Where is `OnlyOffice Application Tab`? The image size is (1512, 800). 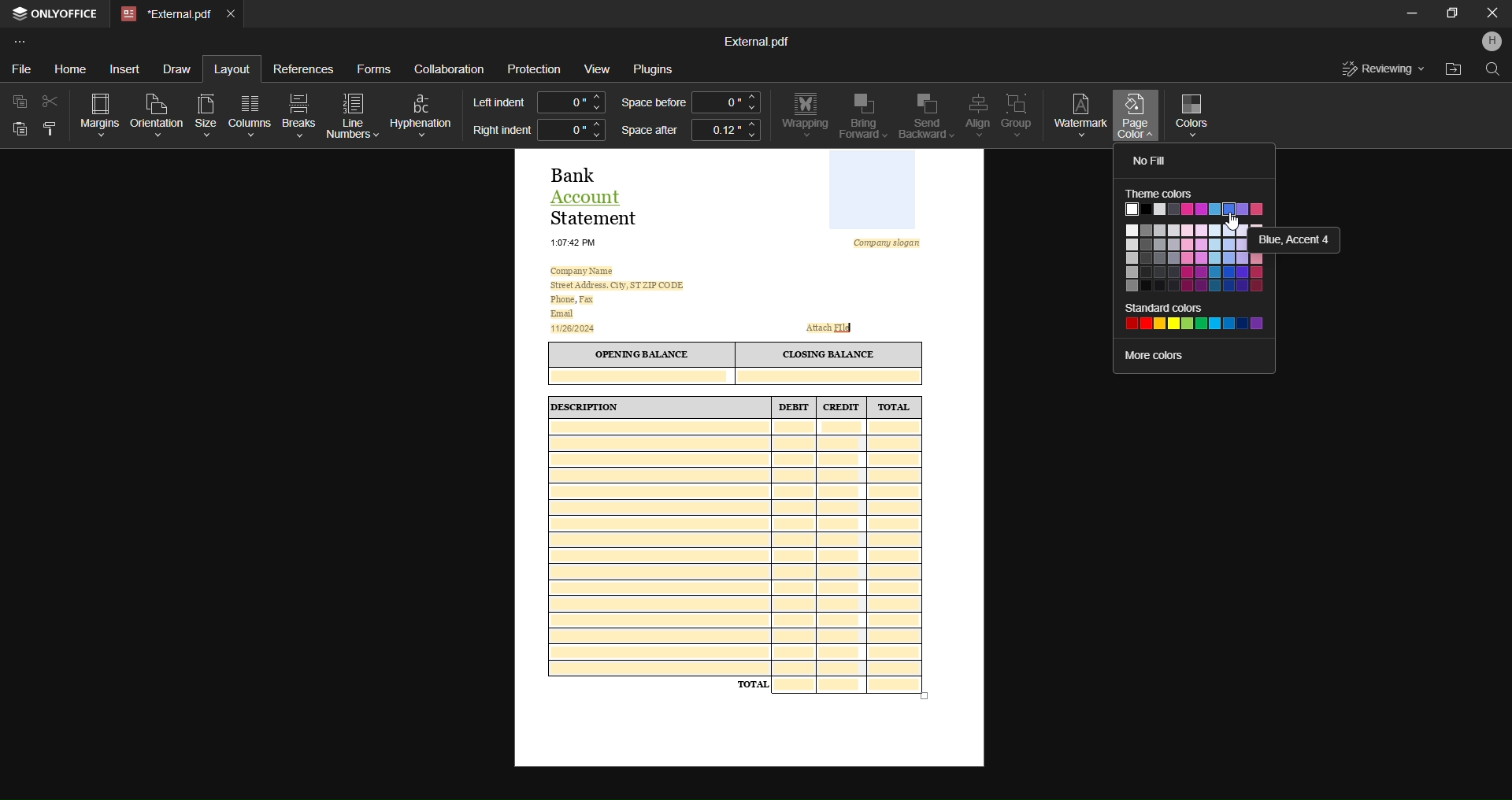 OnlyOffice Application Tab is located at coordinates (58, 16).